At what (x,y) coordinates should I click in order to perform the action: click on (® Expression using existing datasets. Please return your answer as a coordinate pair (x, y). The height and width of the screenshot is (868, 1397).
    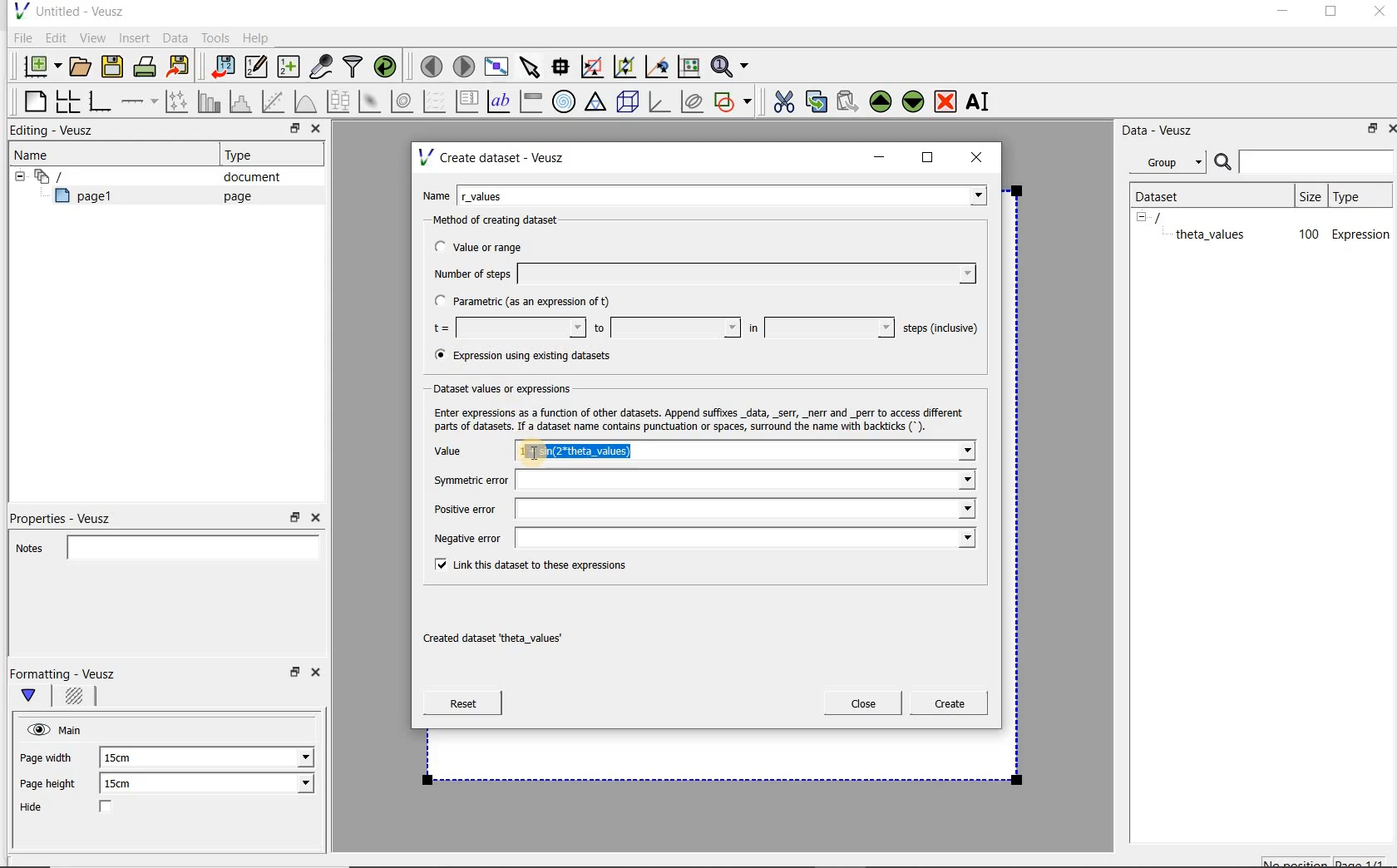
    Looking at the image, I should click on (535, 356).